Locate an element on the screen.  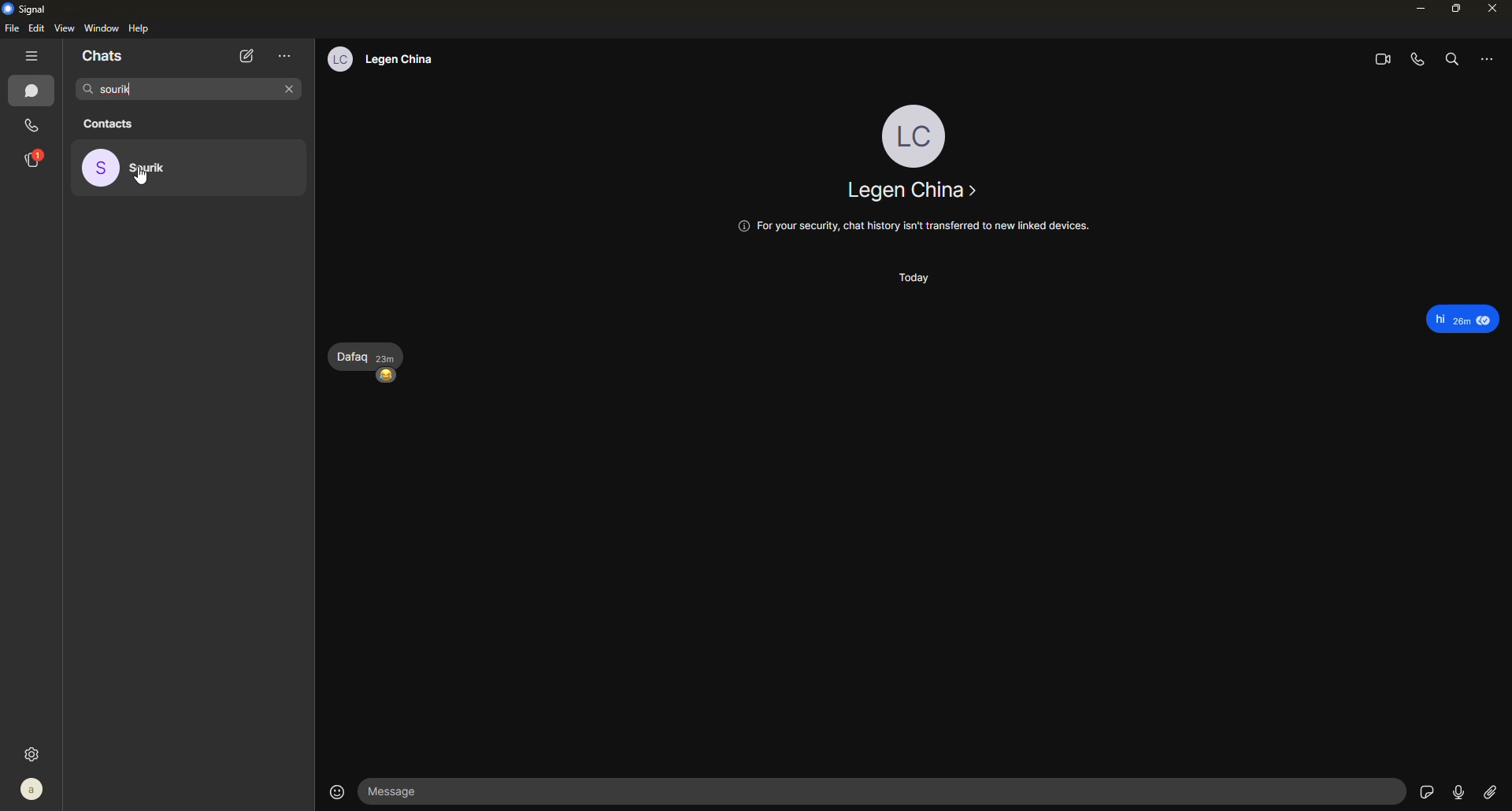
record is located at coordinates (1458, 792).